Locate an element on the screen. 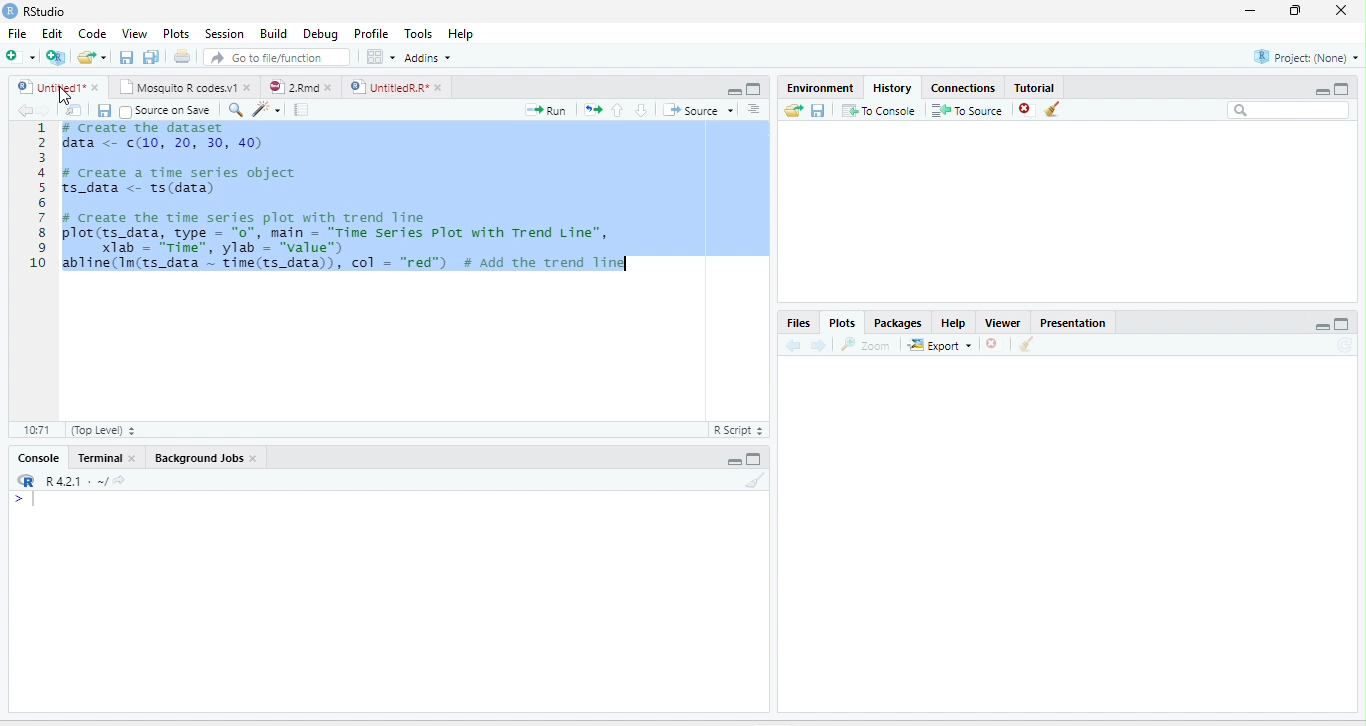 This screenshot has width=1366, height=726. Profile is located at coordinates (369, 34).